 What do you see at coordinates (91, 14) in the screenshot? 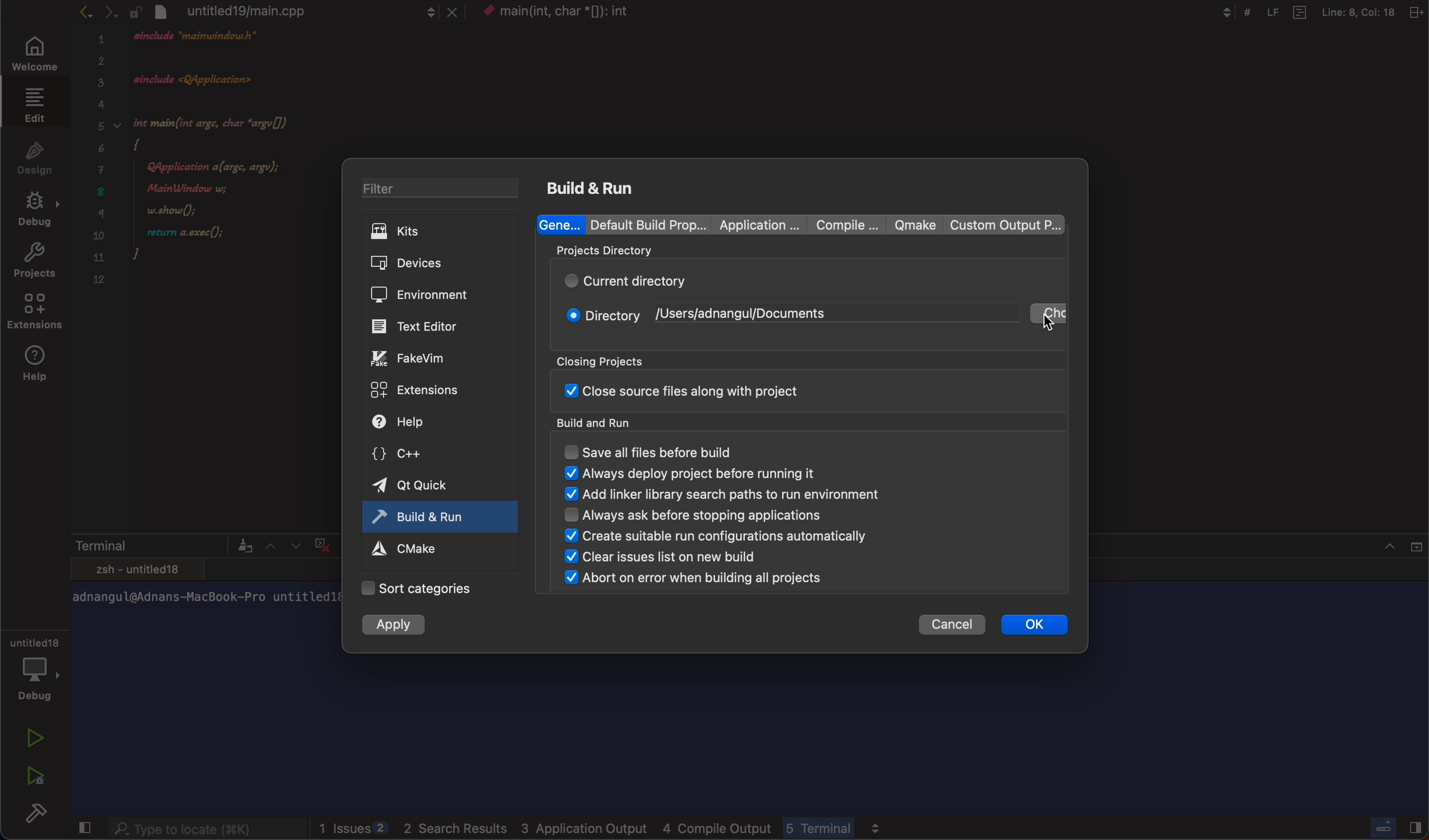
I see `arrows` at bounding box center [91, 14].